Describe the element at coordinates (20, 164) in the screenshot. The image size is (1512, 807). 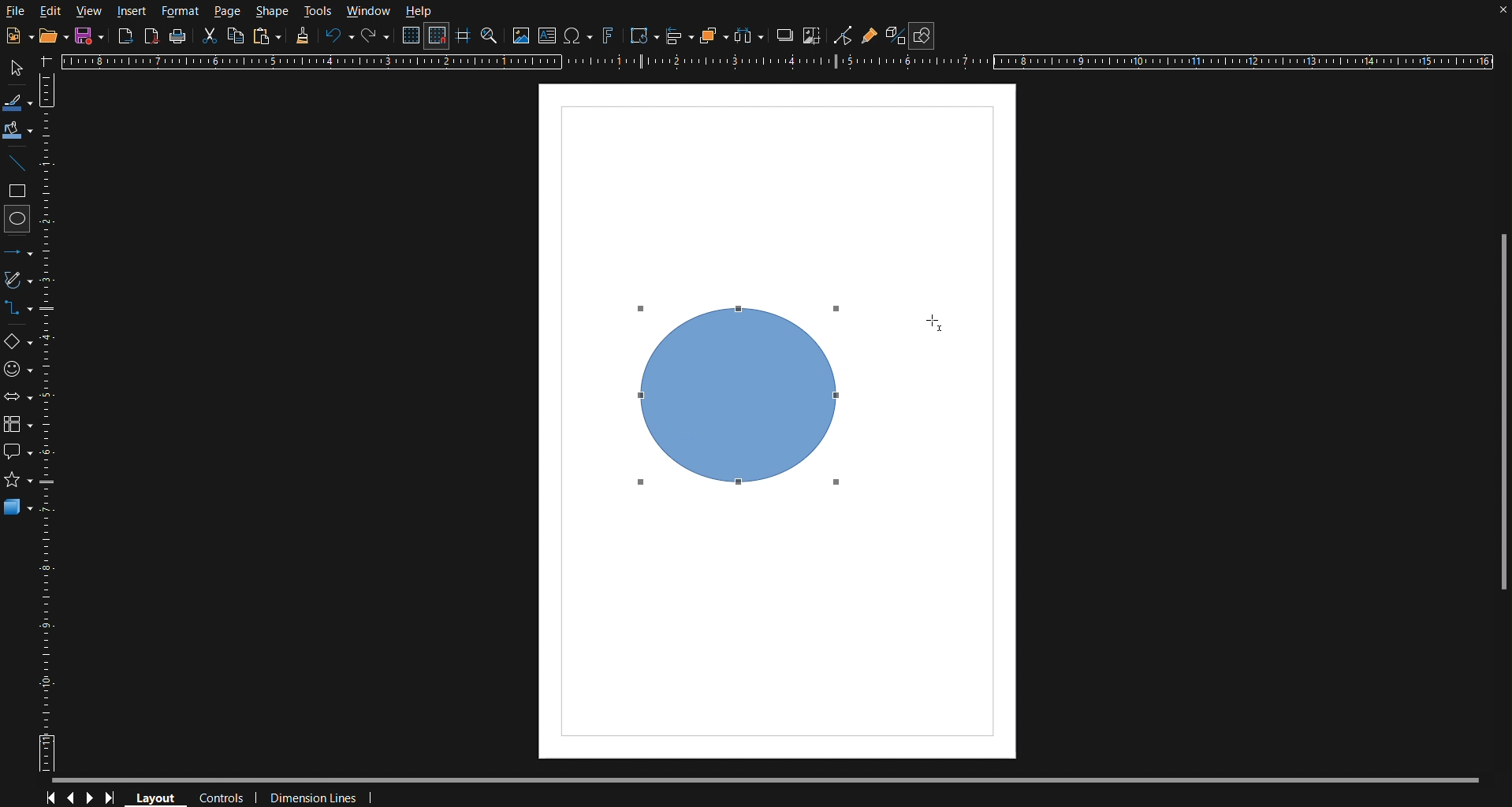
I see `Line` at that location.